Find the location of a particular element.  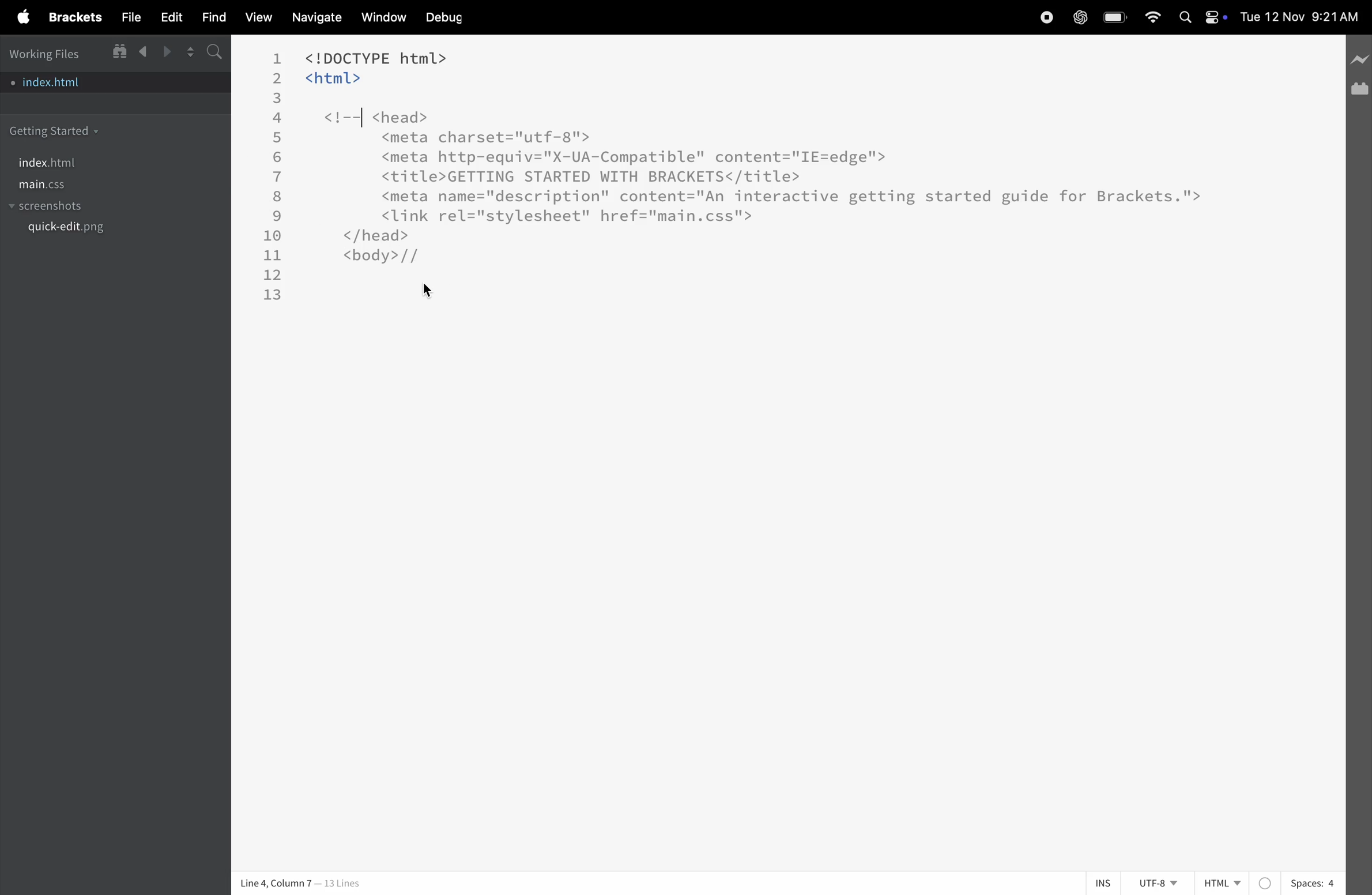

| Line 4, Column 7 — 13 Lines is located at coordinates (297, 883).